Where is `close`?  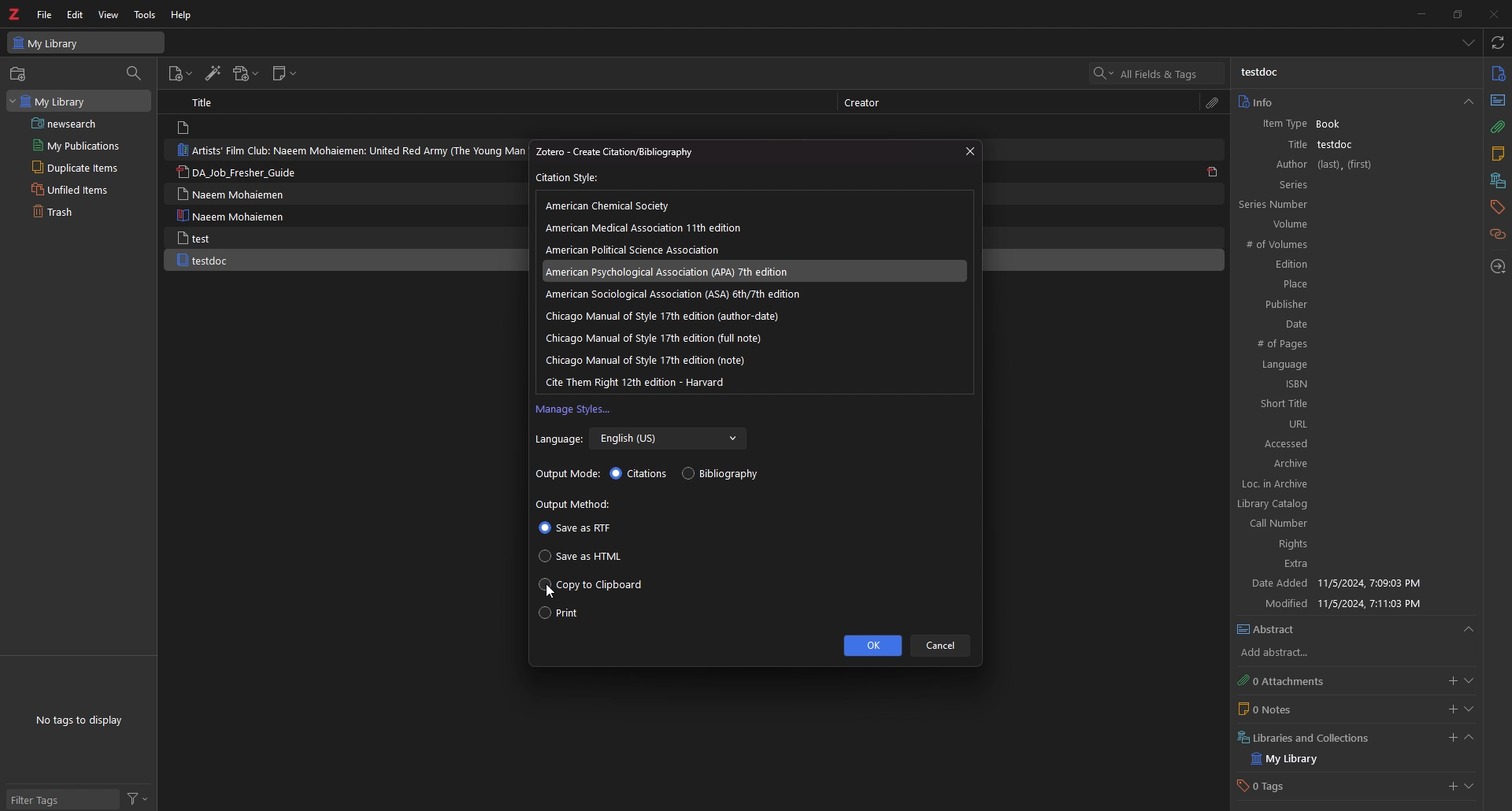 close is located at coordinates (1492, 13).